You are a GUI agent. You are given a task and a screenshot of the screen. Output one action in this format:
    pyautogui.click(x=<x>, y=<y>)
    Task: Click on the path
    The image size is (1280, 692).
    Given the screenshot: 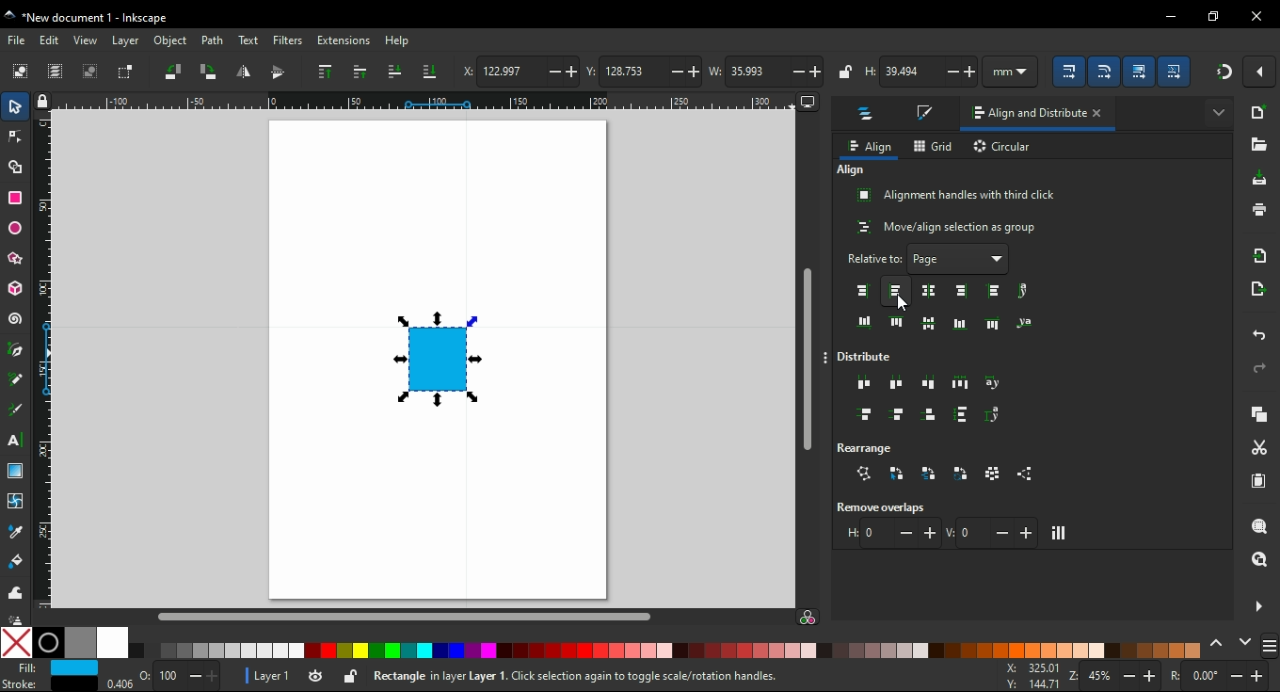 What is the action you would take?
    pyautogui.click(x=212, y=41)
    